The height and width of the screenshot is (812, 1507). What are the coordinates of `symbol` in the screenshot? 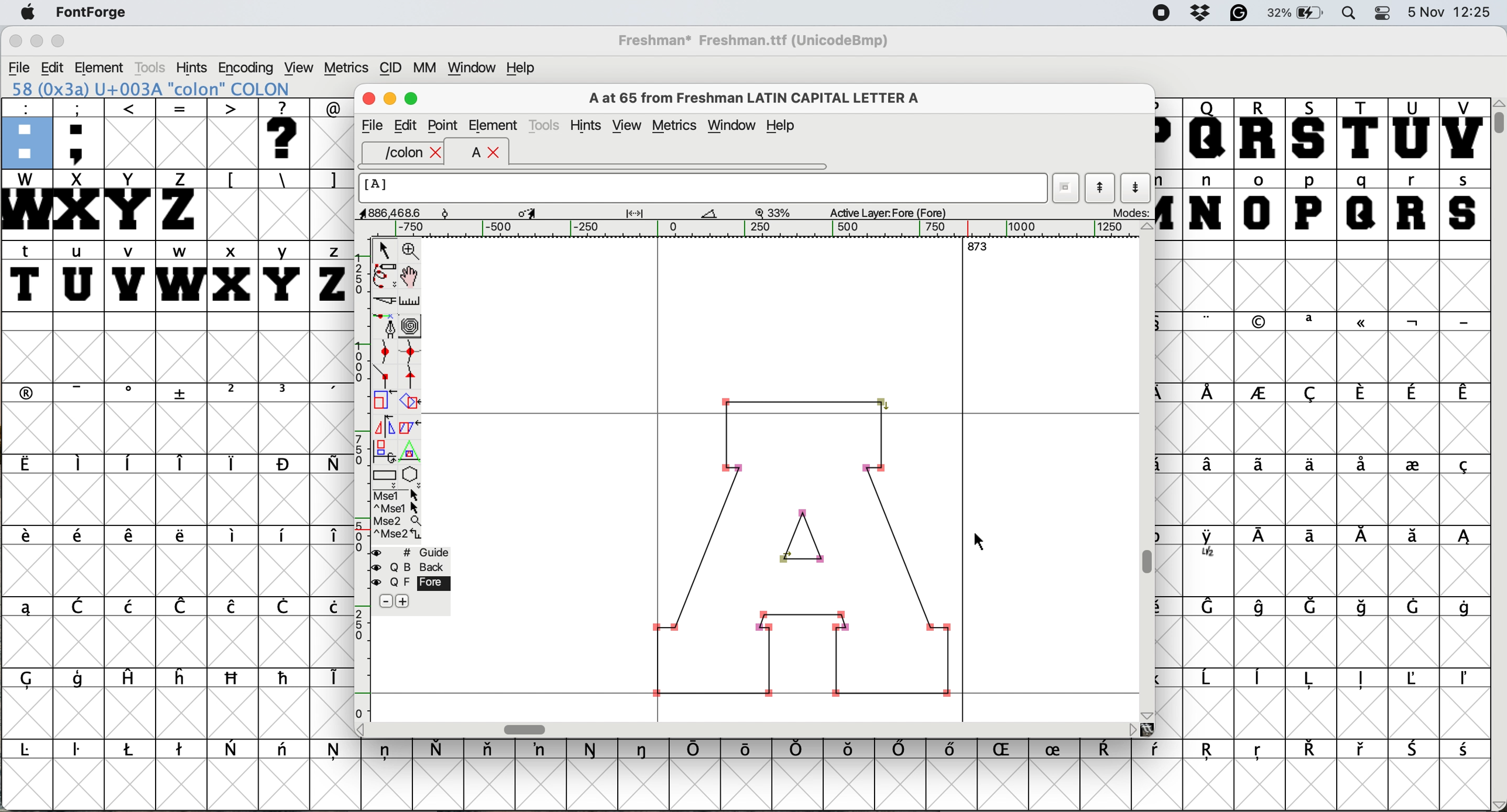 It's located at (1412, 393).